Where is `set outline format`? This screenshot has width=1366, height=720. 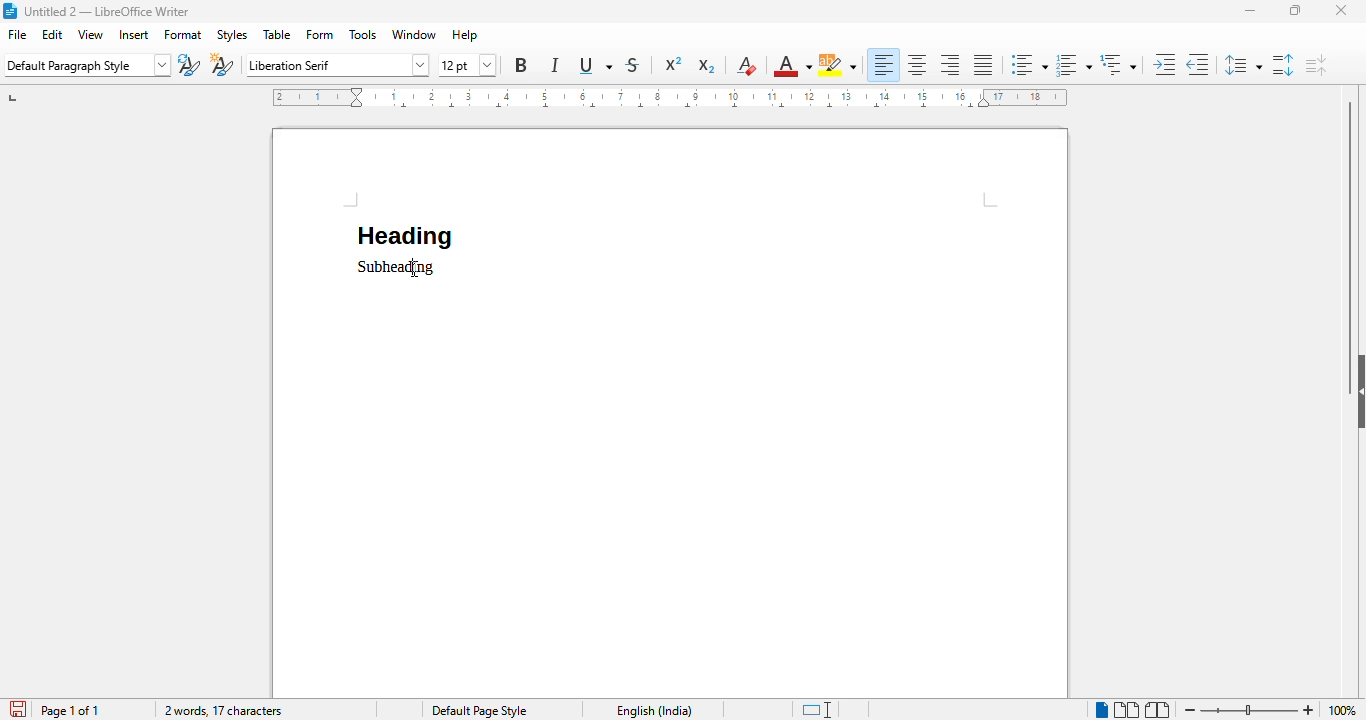 set outline format is located at coordinates (1118, 64).